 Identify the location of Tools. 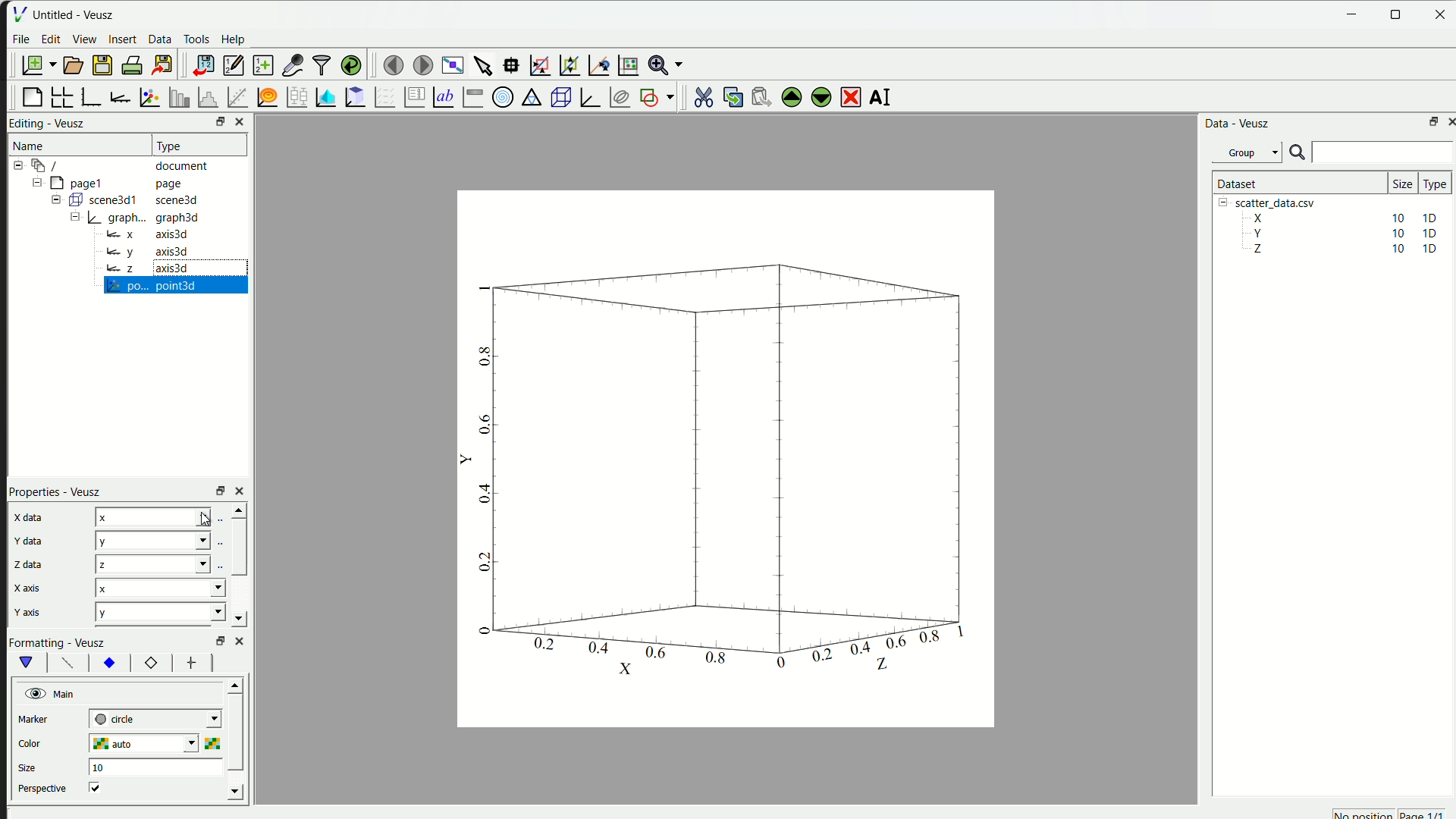
(196, 38).